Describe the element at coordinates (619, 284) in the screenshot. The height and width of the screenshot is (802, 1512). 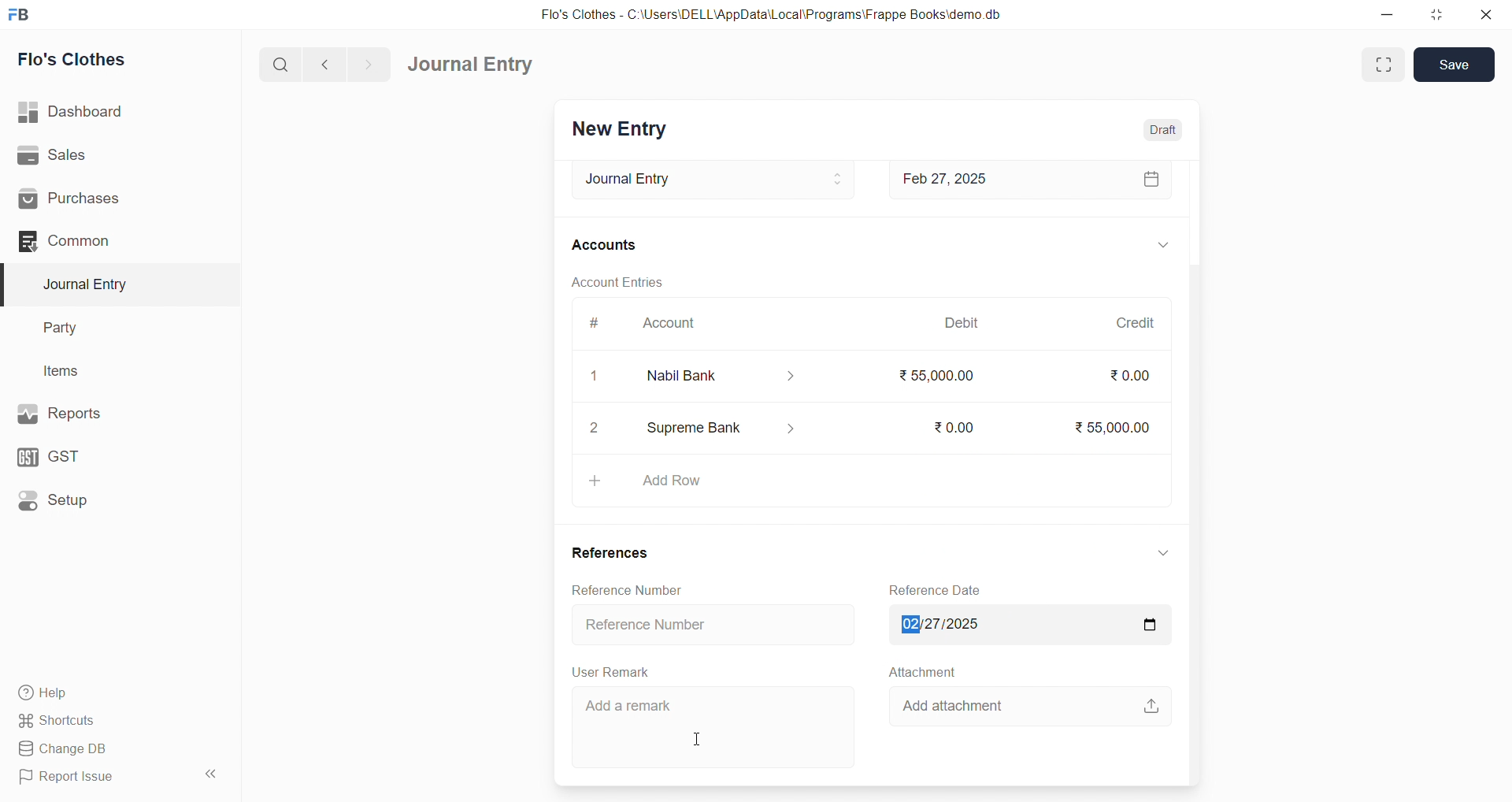
I see `Account Entries` at that location.